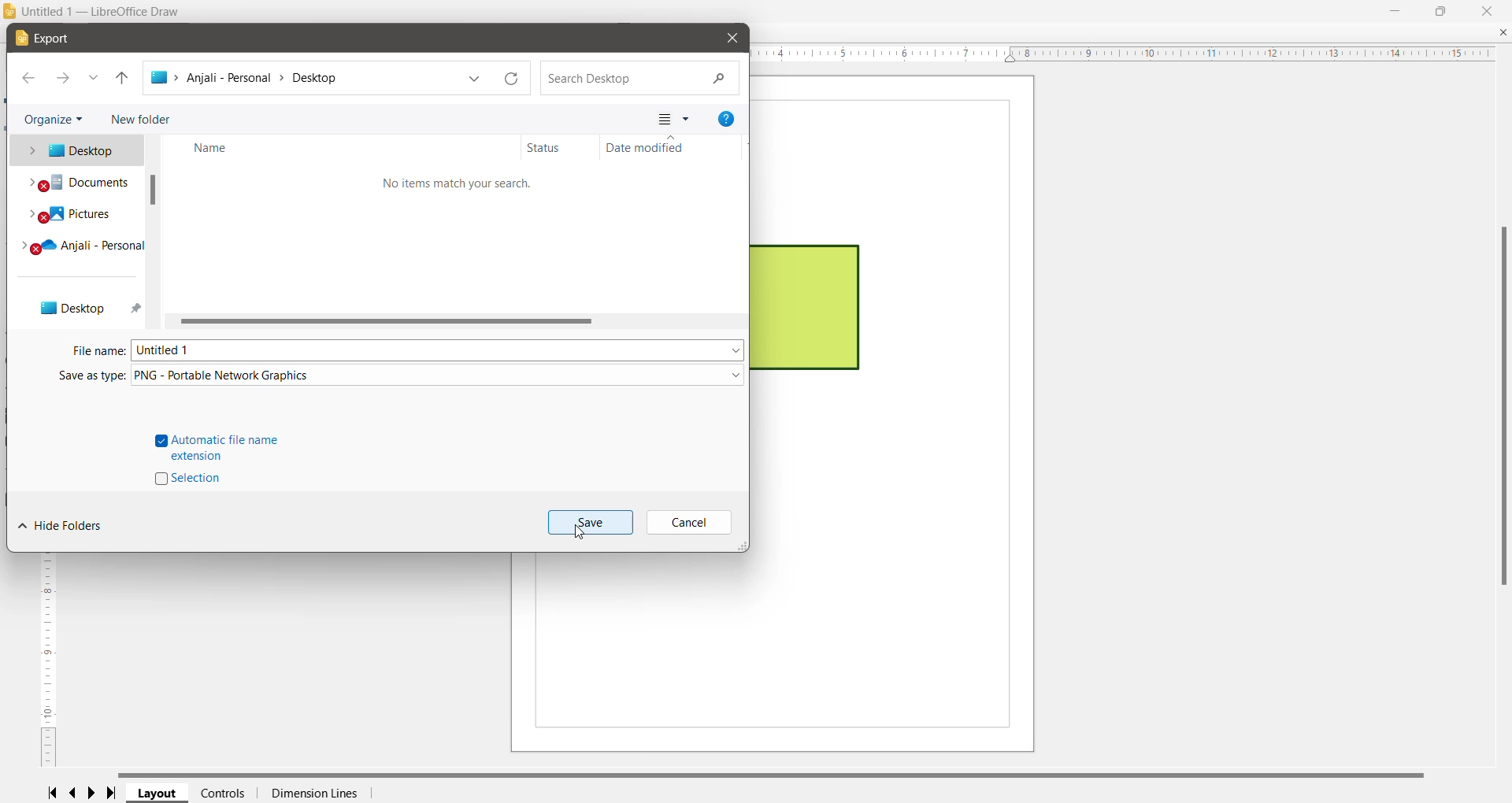 The height and width of the screenshot is (803, 1512). What do you see at coordinates (344, 147) in the screenshot?
I see `Name` at bounding box center [344, 147].